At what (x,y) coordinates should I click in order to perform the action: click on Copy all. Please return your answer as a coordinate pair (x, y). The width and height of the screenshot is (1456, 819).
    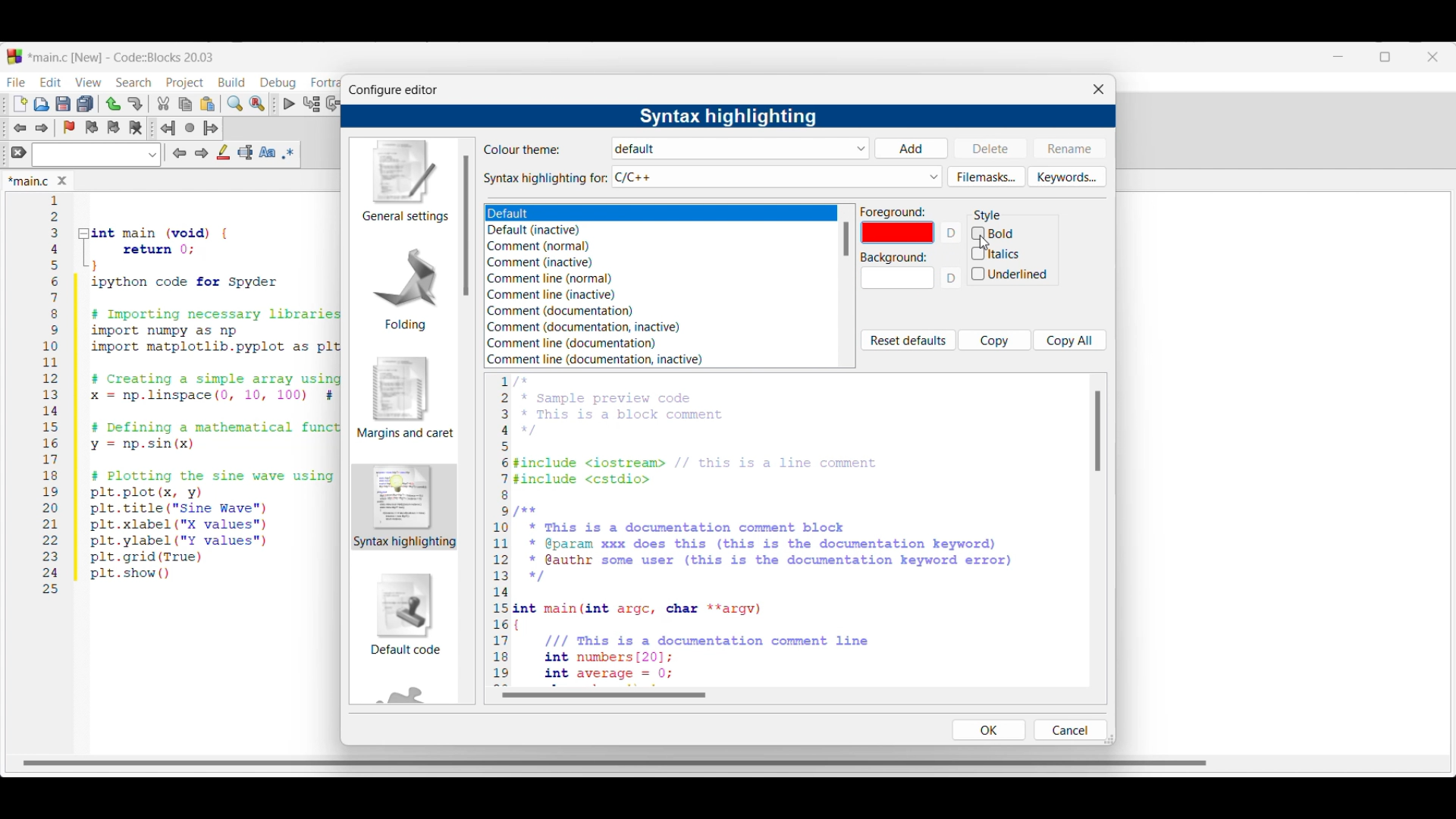
    Looking at the image, I should click on (1070, 340).